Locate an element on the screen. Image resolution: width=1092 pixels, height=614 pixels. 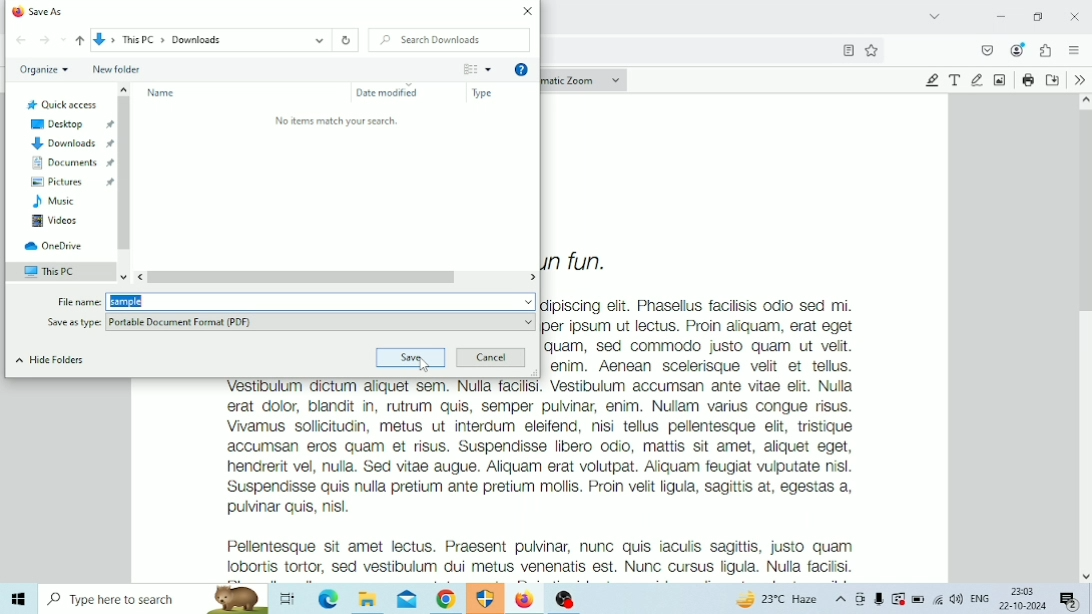
Print is located at coordinates (1029, 80).